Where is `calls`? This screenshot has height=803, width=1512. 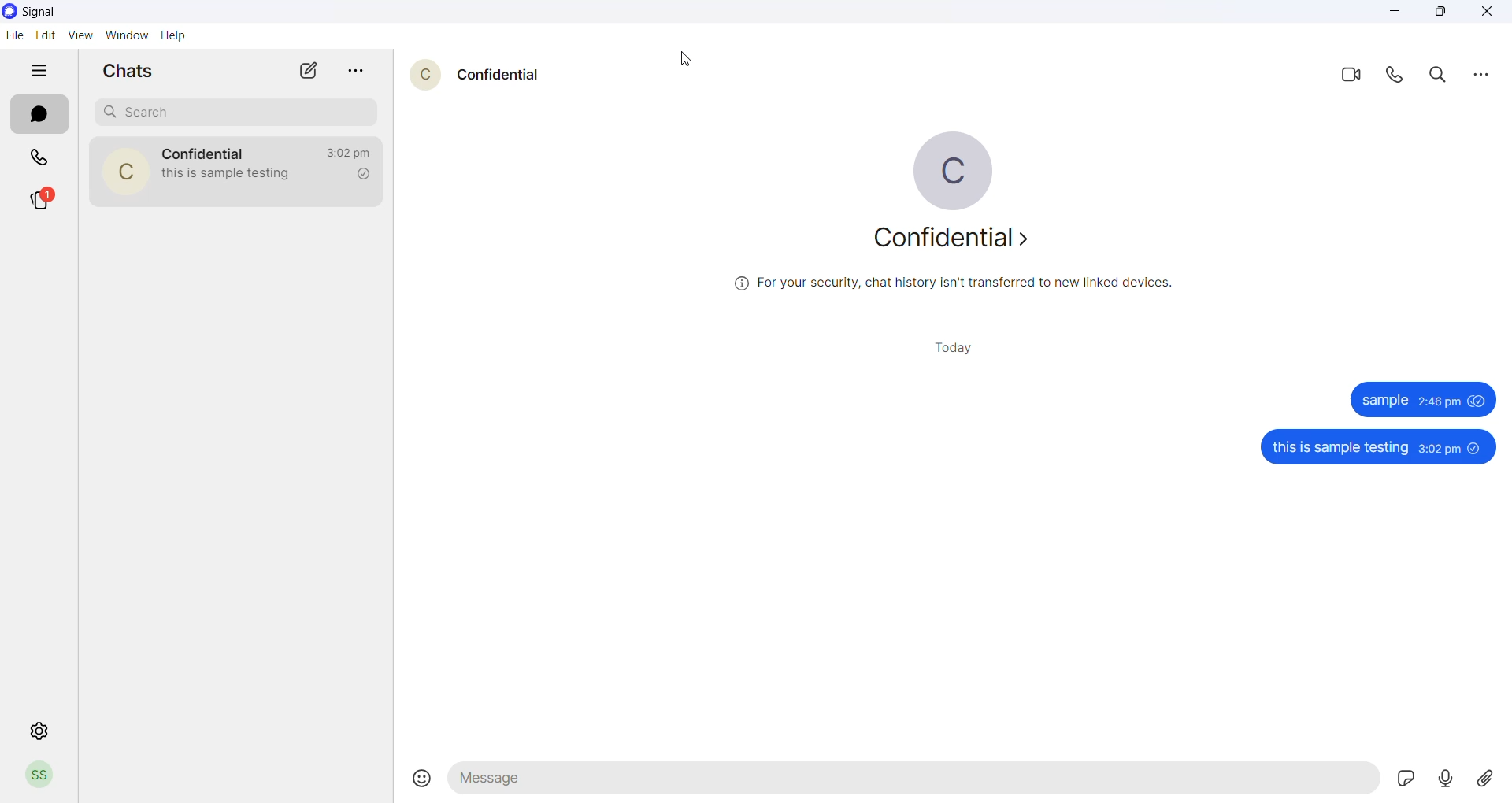 calls is located at coordinates (40, 157).